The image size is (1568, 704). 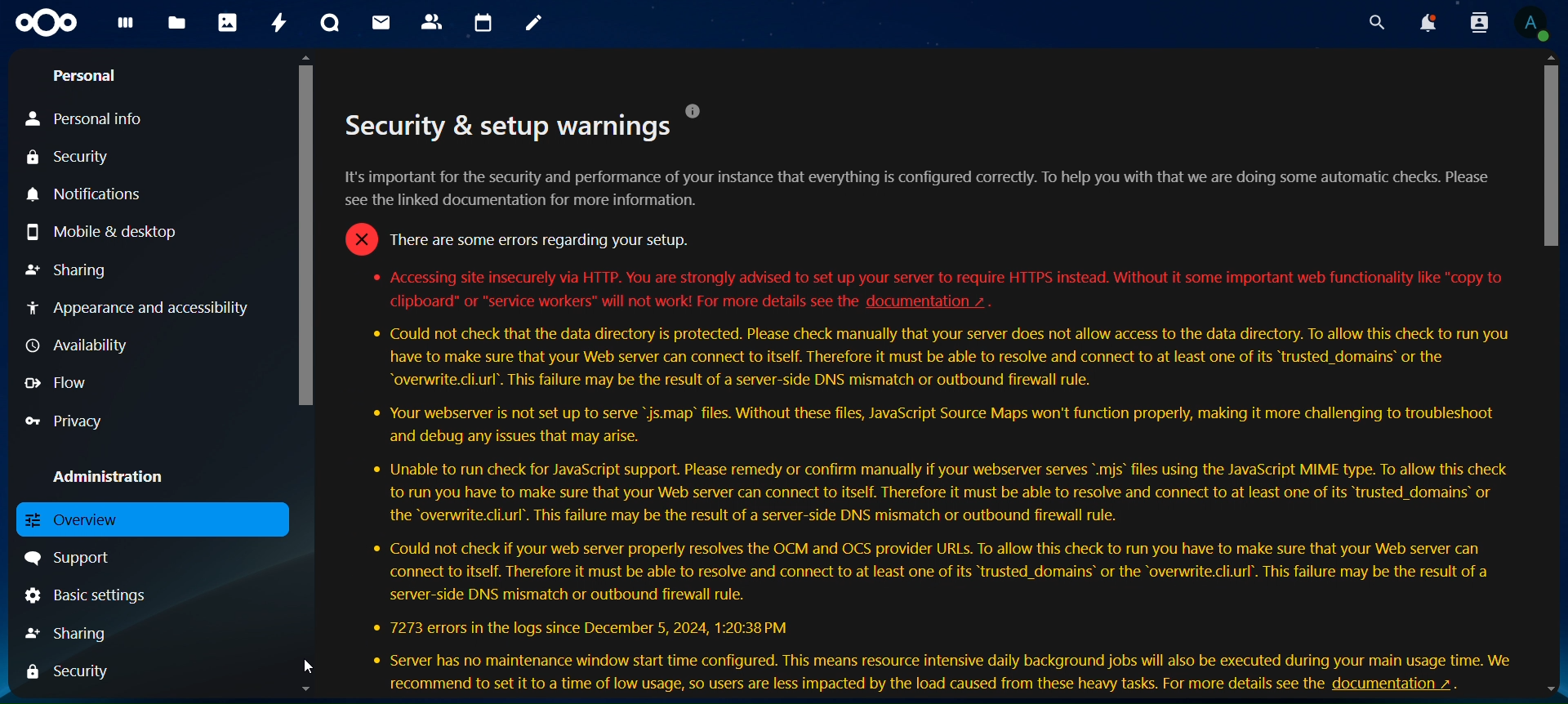 What do you see at coordinates (1477, 23) in the screenshot?
I see `search contacts` at bounding box center [1477, 23].